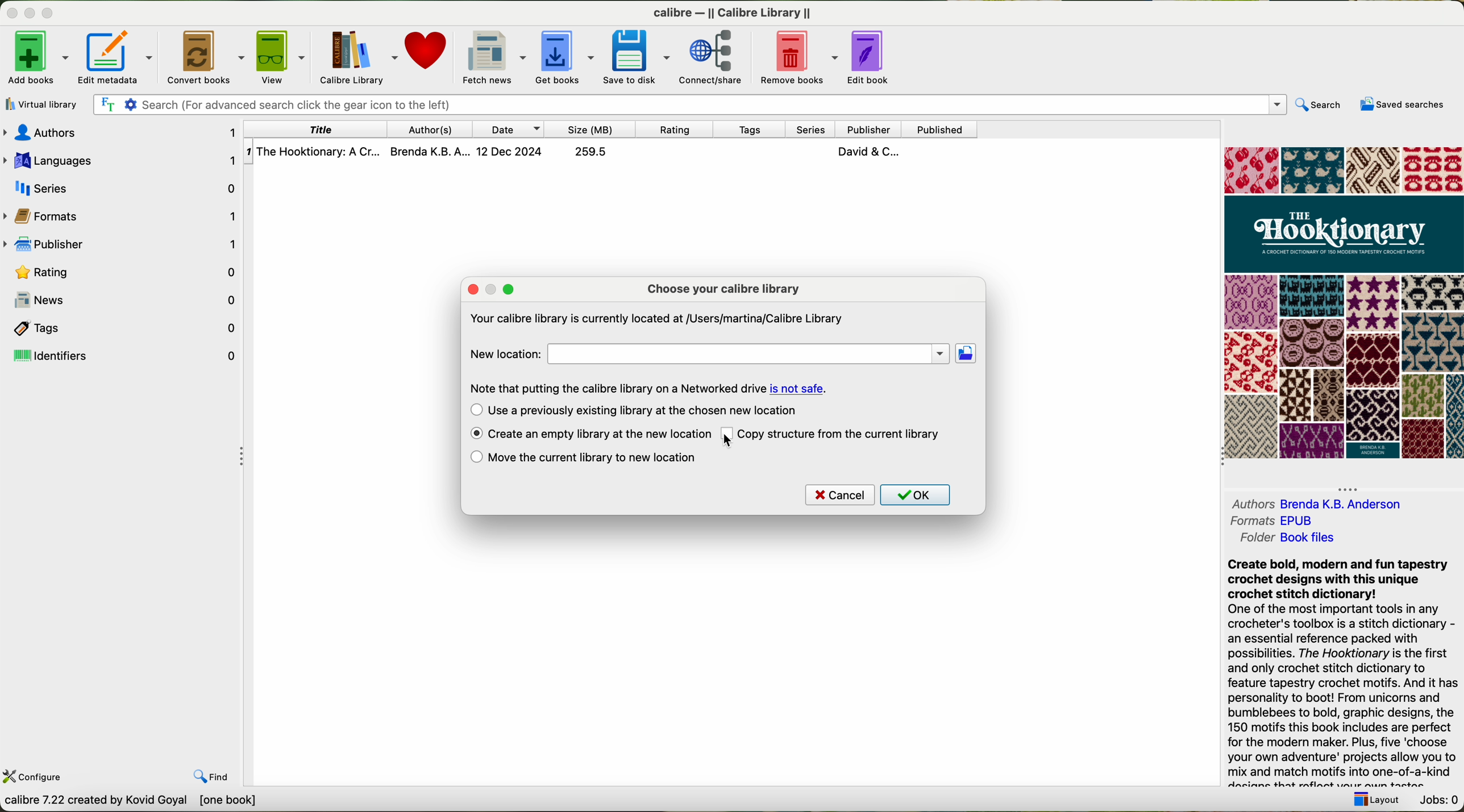 The height and width of the screenshot is (812, 1464). I want to click on Calibre library, so click(355, 54).